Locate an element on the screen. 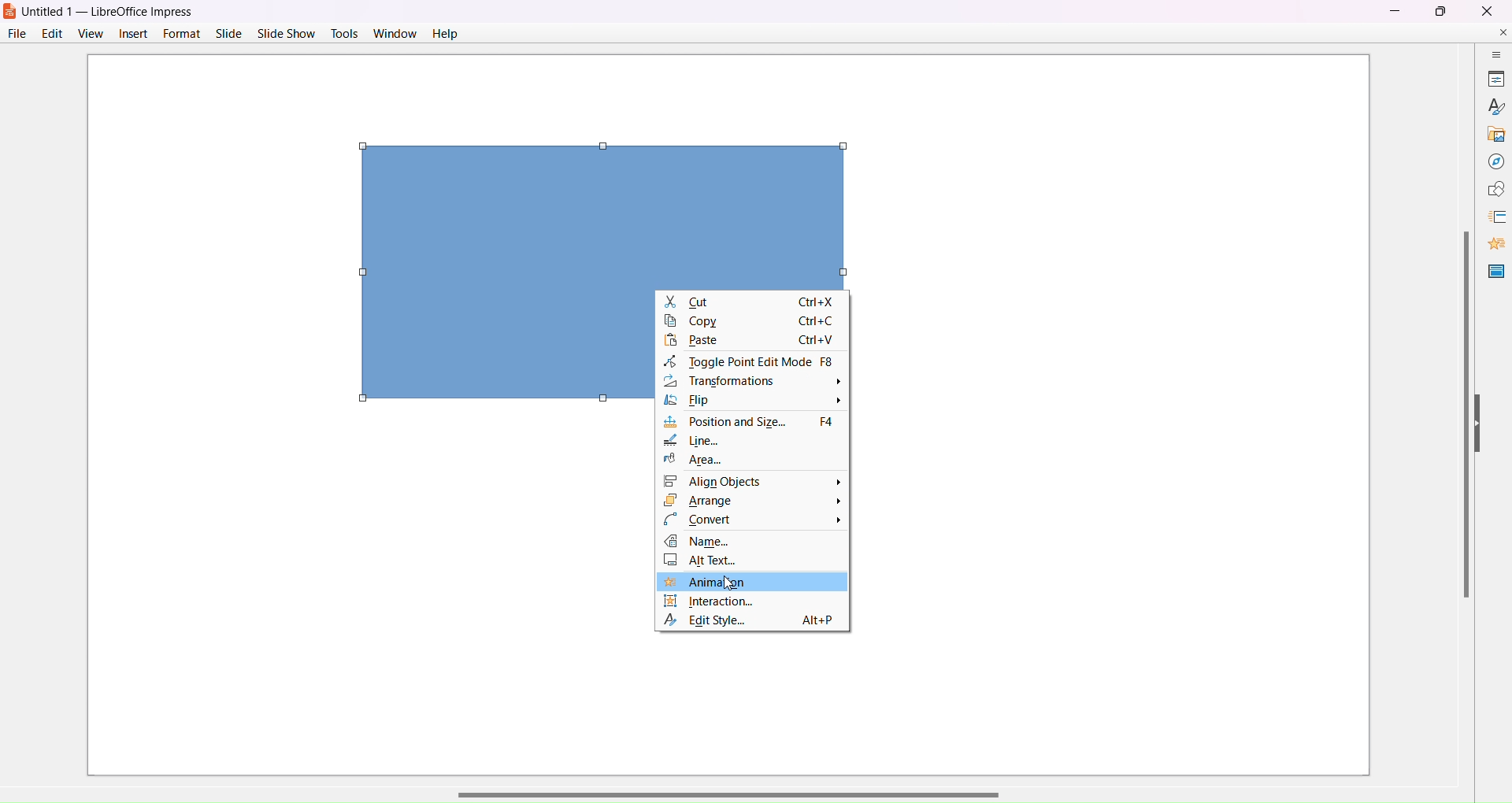  Format is located at coordinates (180, 33).